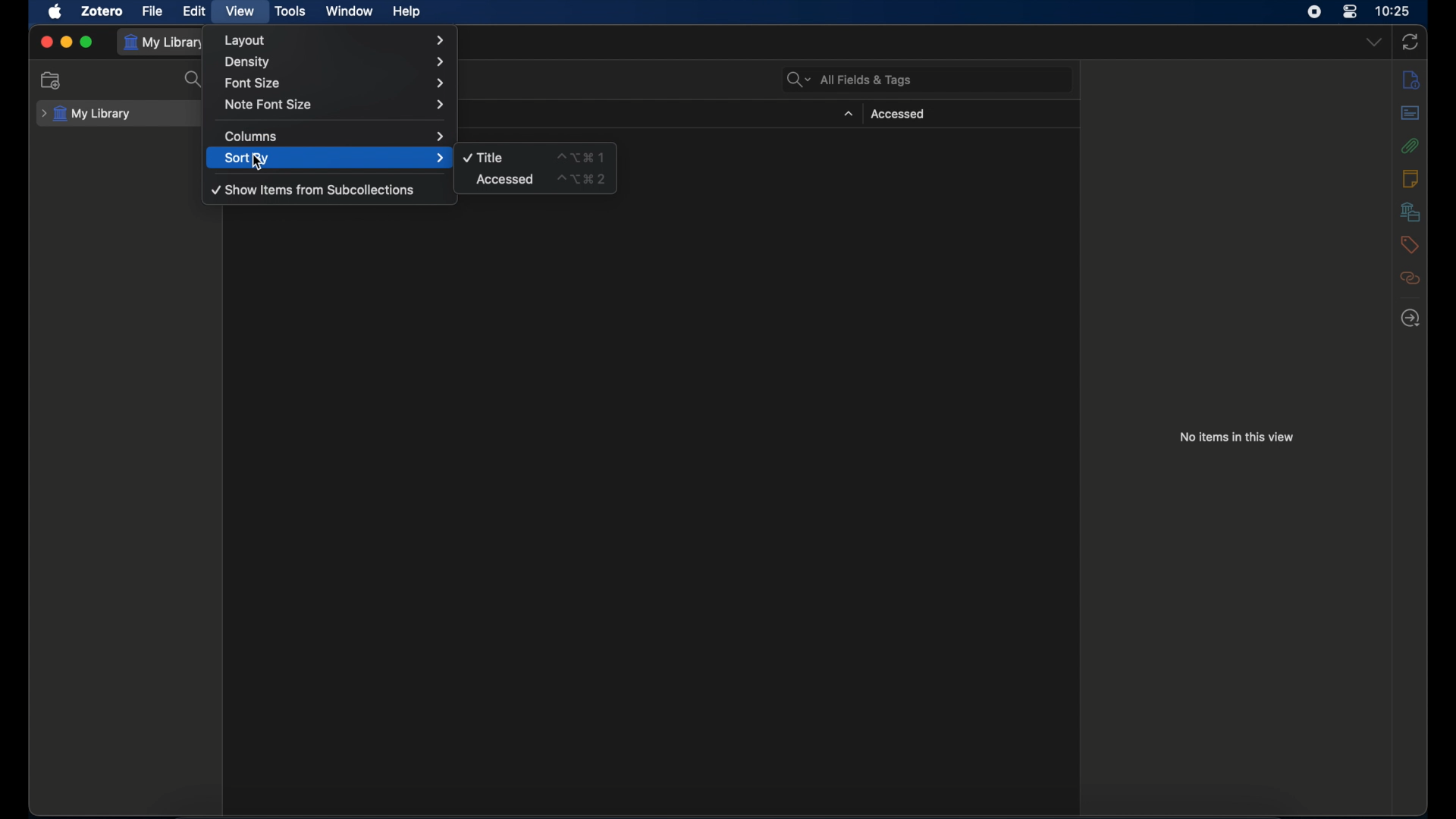 The image size is (1456, 819). I want to click on new collection, so click(53, 80).